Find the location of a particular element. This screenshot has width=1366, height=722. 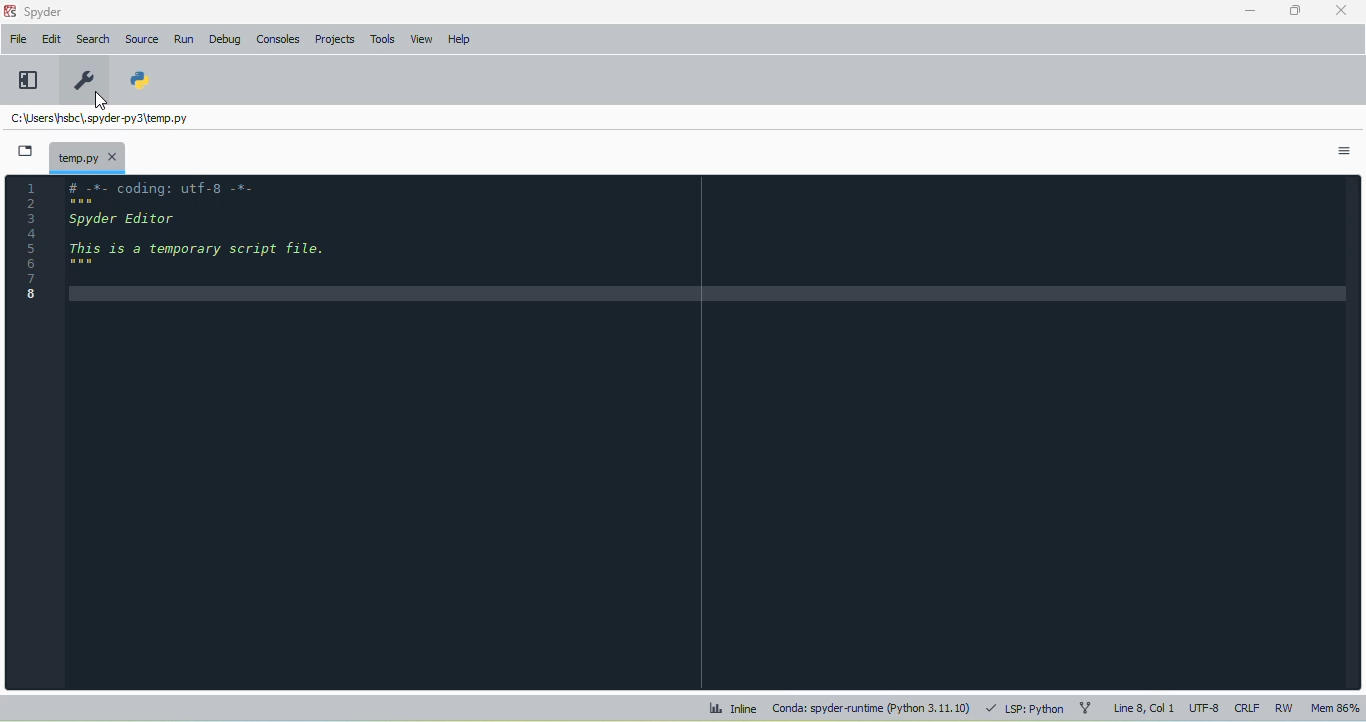

maximize is located at coordinates (1295, 10).